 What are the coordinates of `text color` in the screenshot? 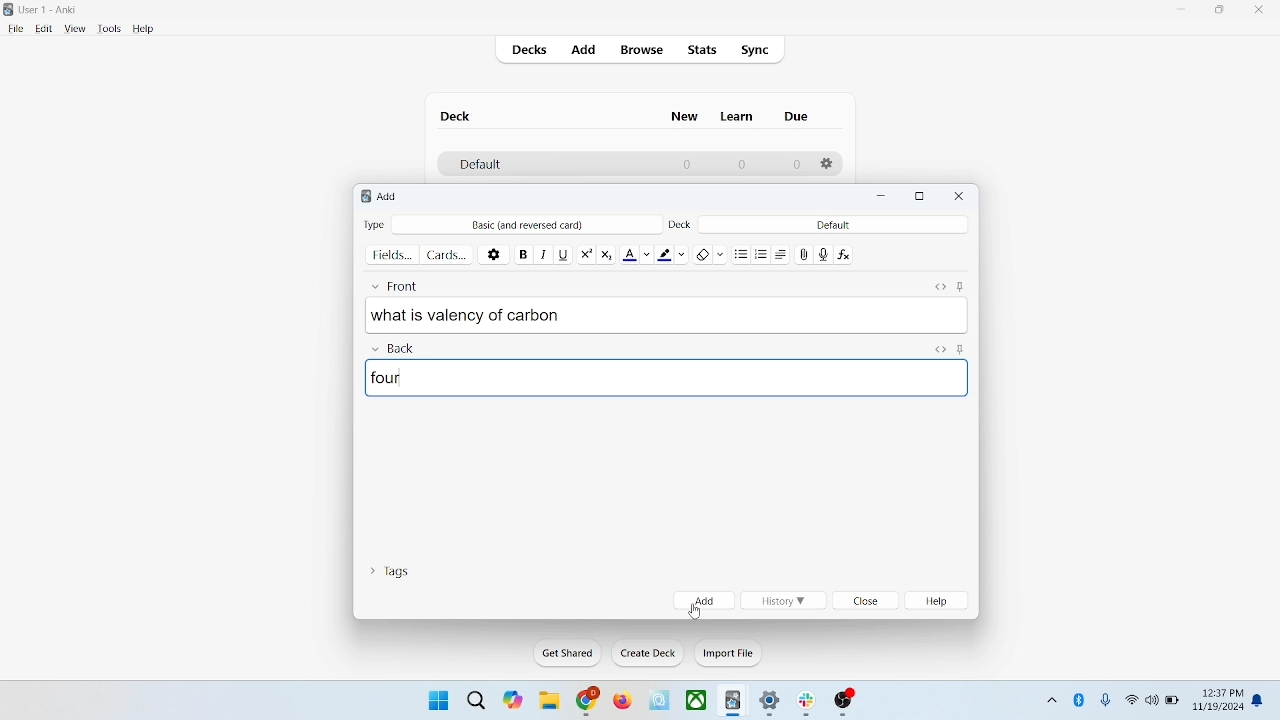 It's located at (640, 253).